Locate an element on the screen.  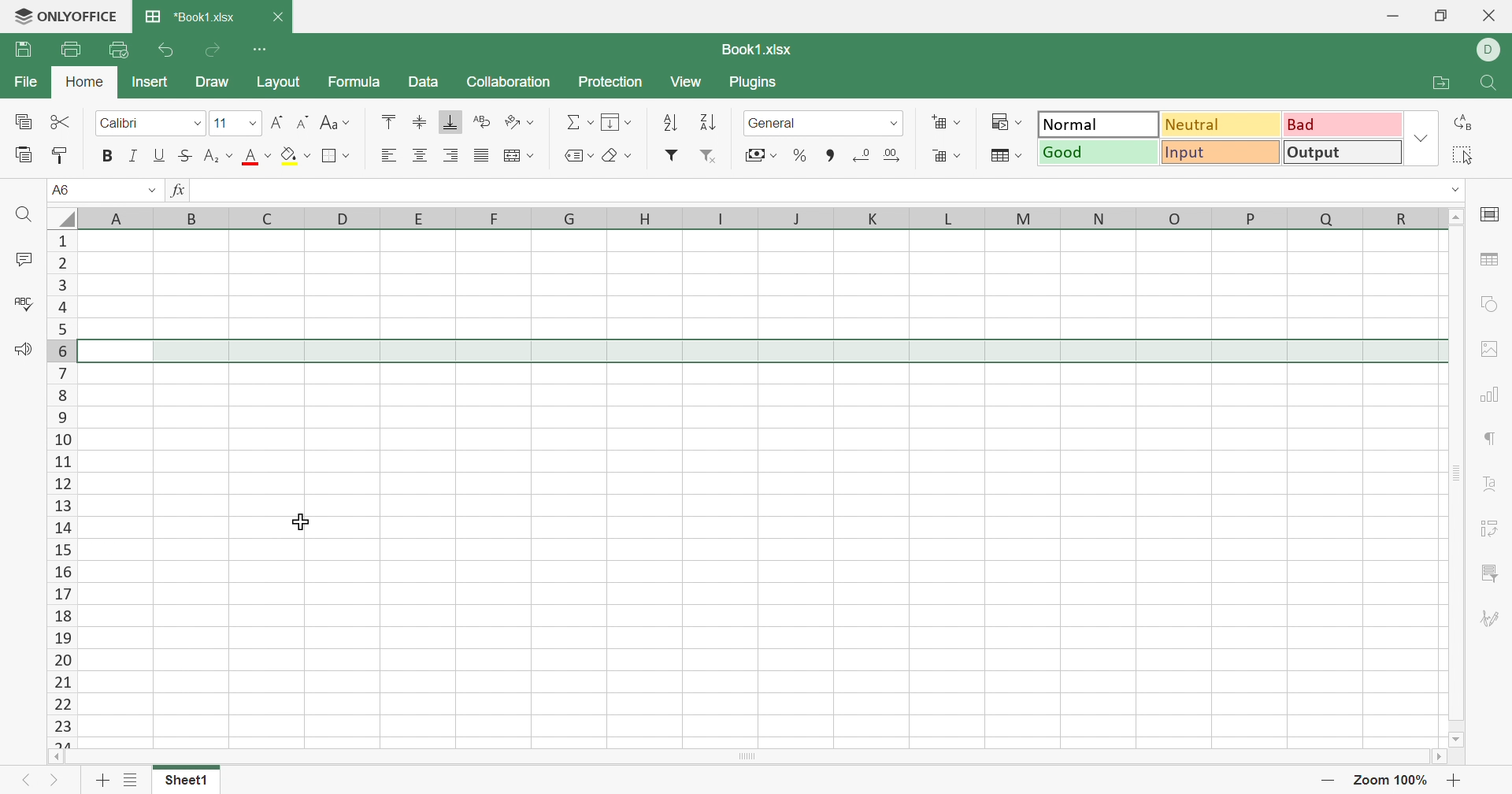
Comma style is located at coordinates (833, 155).